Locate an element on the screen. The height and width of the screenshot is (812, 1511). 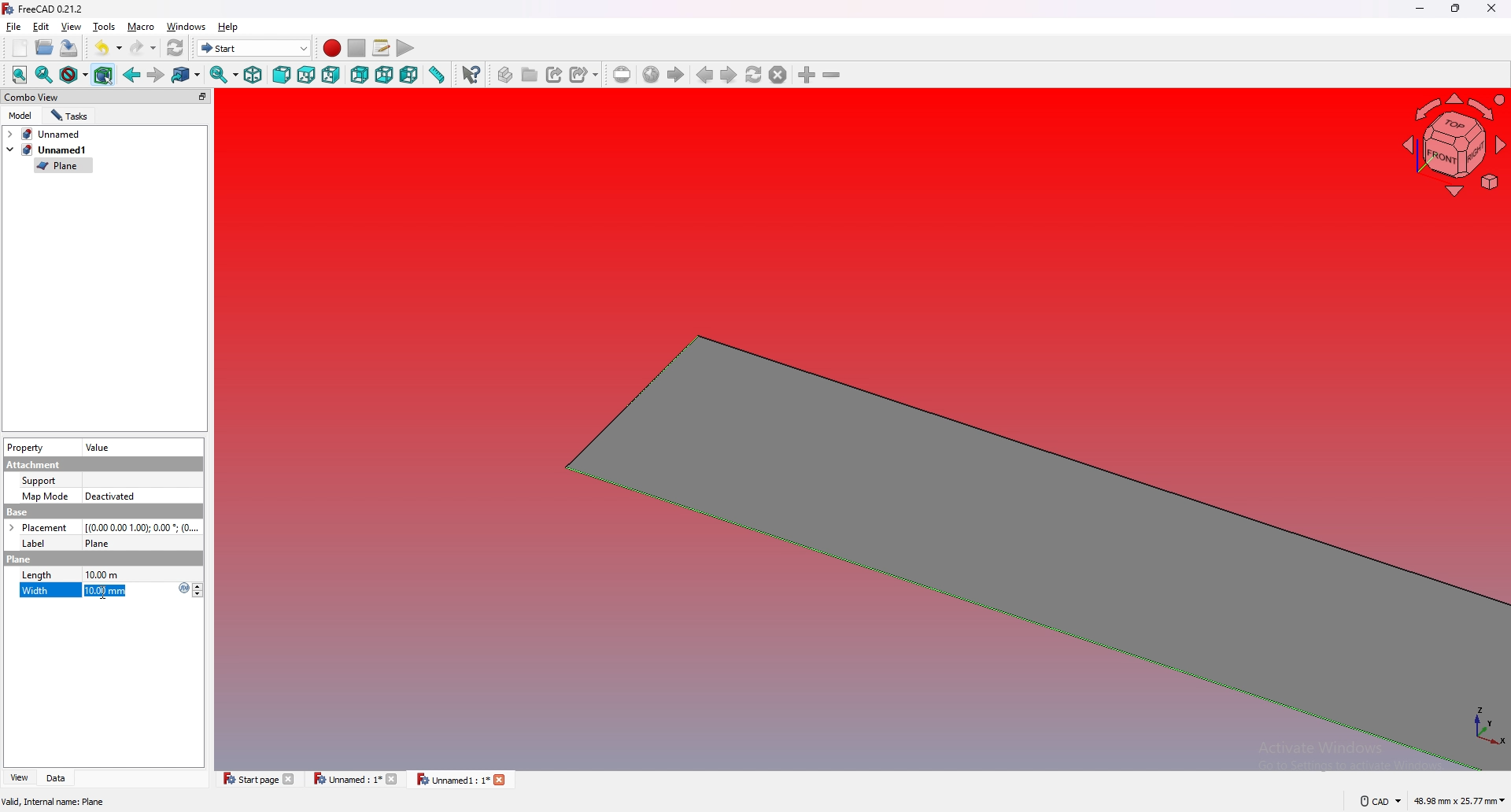
measure distance is located at coordinates (436, 74).